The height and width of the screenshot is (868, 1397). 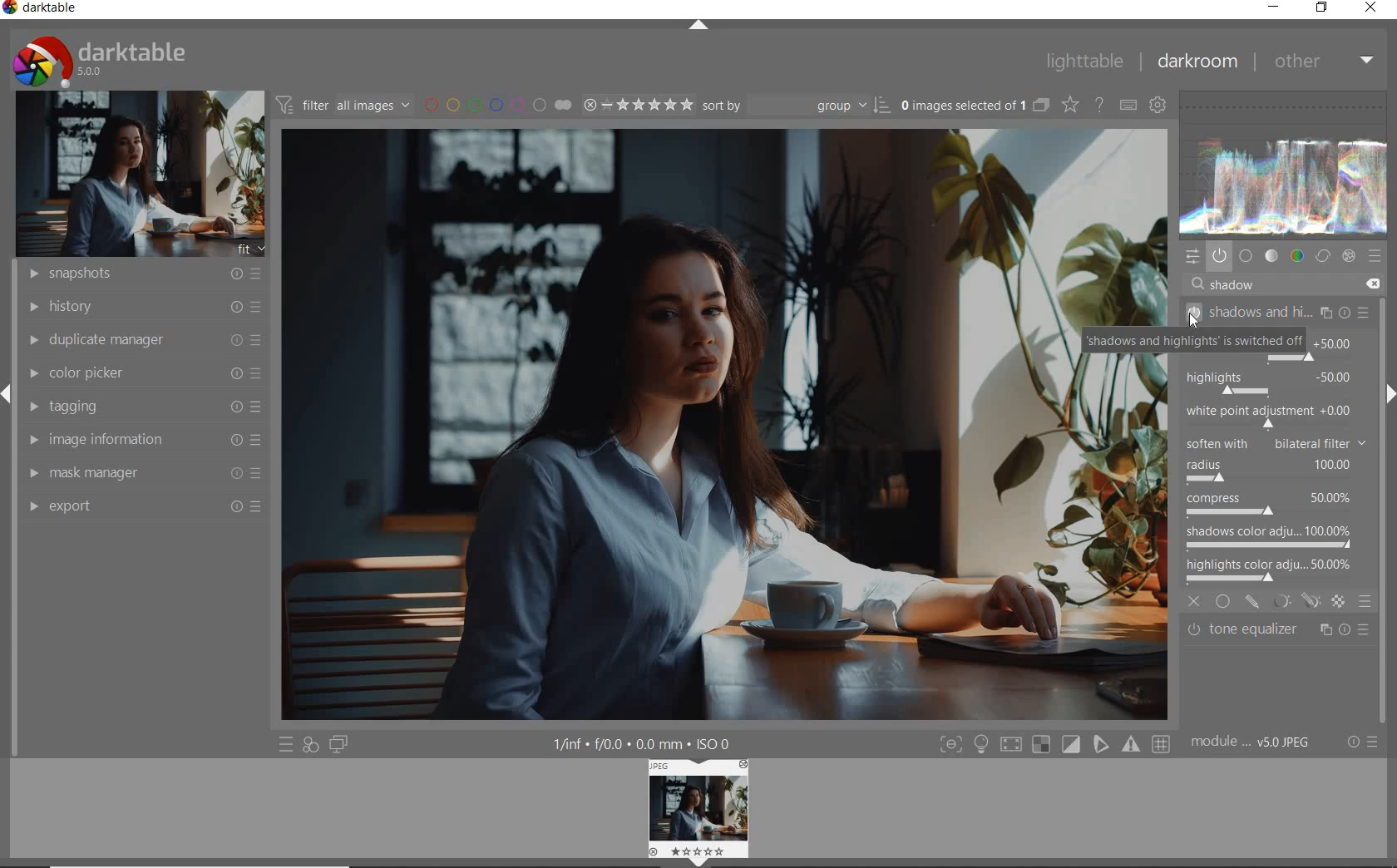 I want to click on shadows & highlights, so click(x=1279, y=312).